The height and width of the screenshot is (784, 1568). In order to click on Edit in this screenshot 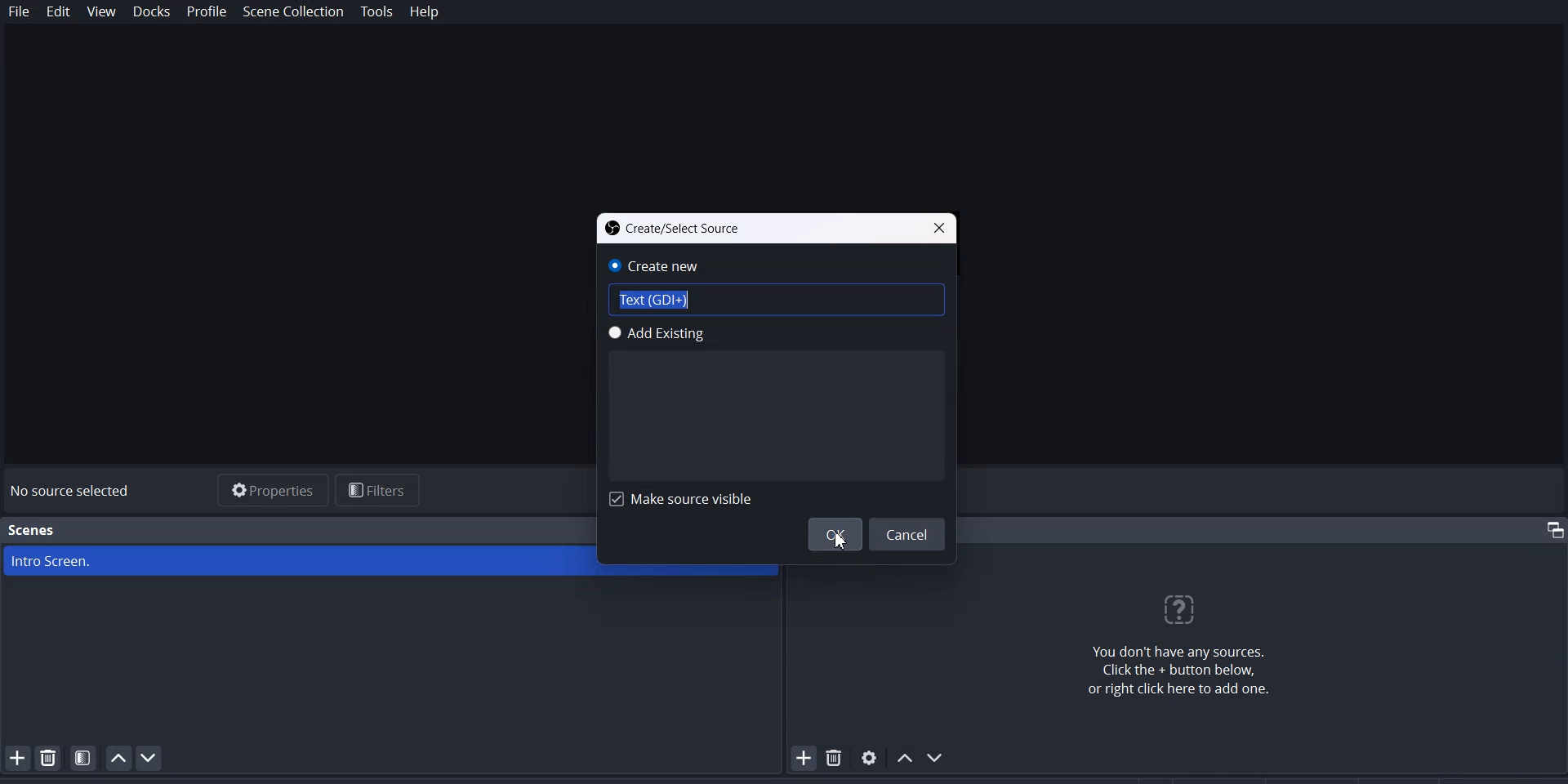, I will do `click(59, 13)`.